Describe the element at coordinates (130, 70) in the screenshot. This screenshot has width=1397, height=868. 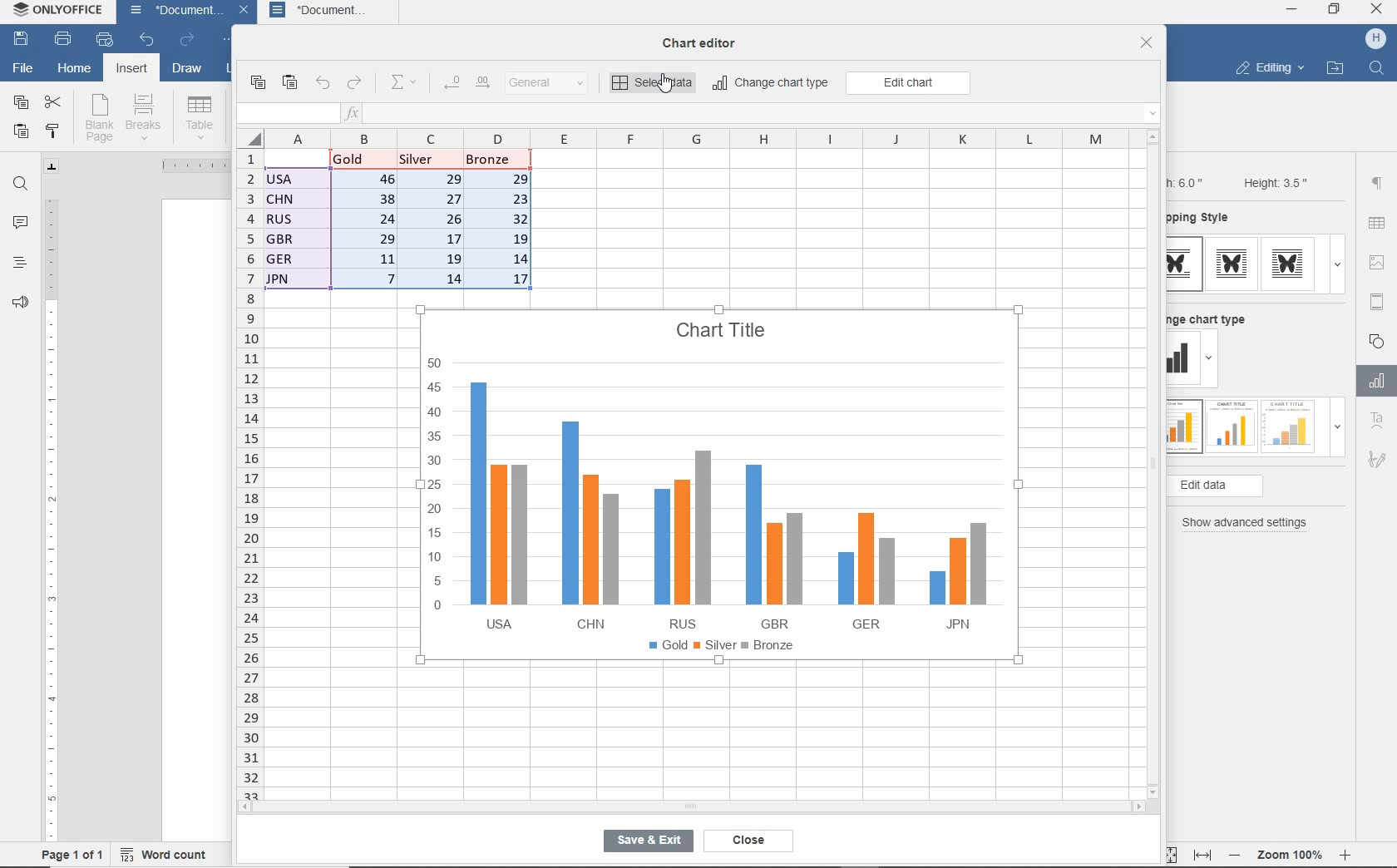
I see `insert` at that location.